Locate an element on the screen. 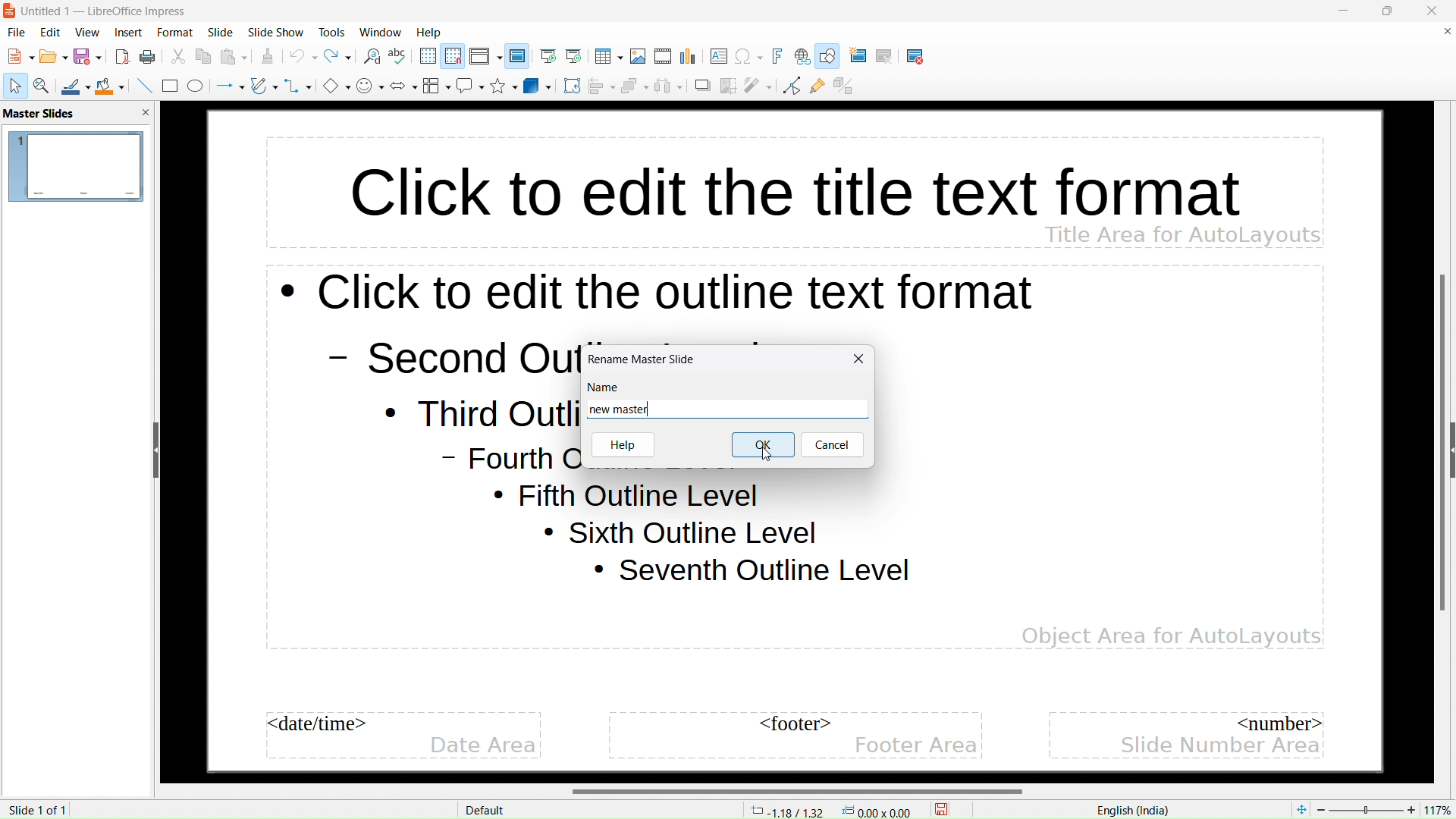 This screenshot has height=819, width=1456. <date/time> is located at coordinates (320, 724).